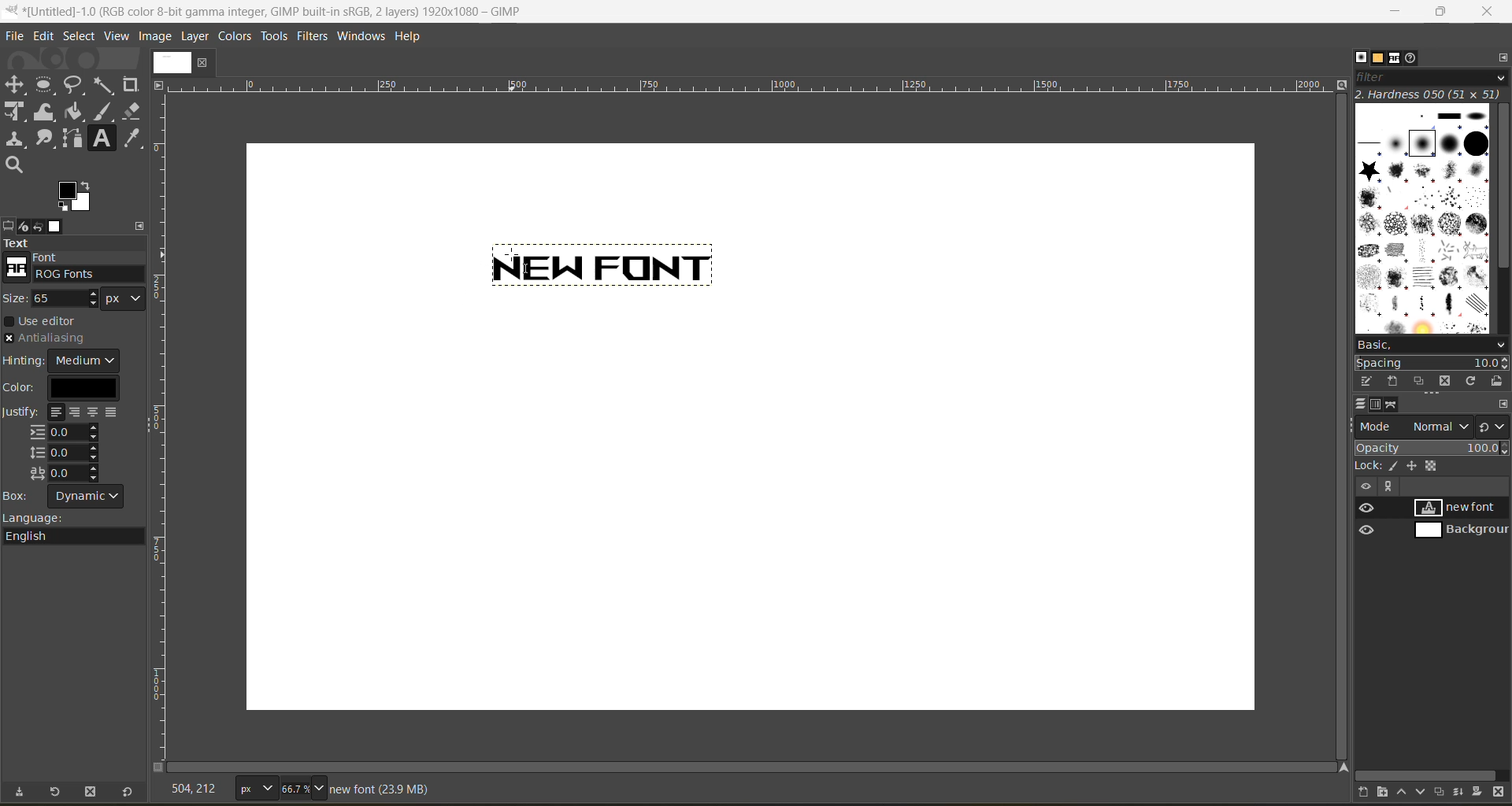  Describe the element at coordinates (232, 36) in the screenshot. I see `colors` at that location.